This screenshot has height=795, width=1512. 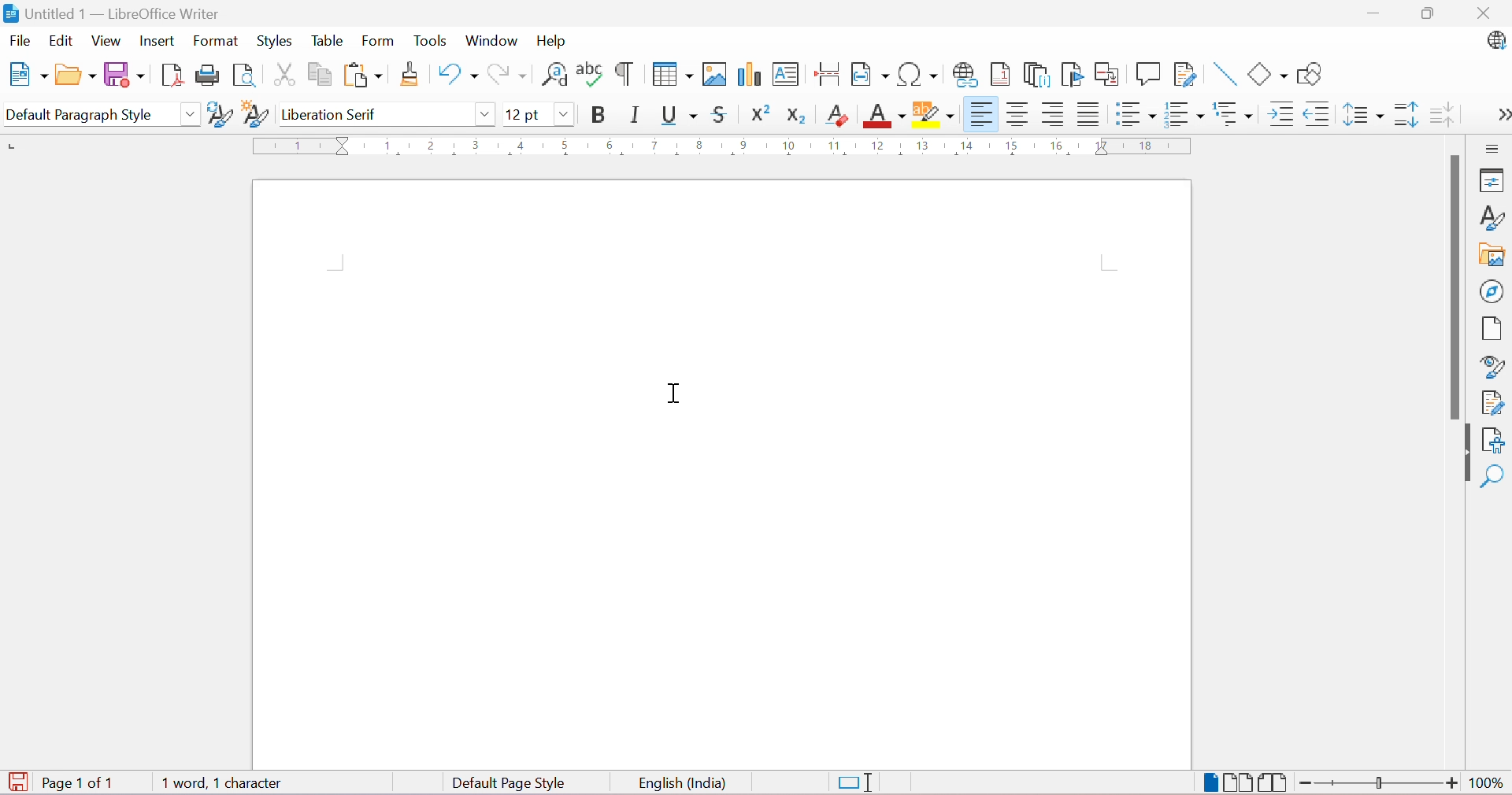 What do you see at coordinates (332, 116) in the screenshot?
I see `Liberation Serif` at bounding box center [332, 116].